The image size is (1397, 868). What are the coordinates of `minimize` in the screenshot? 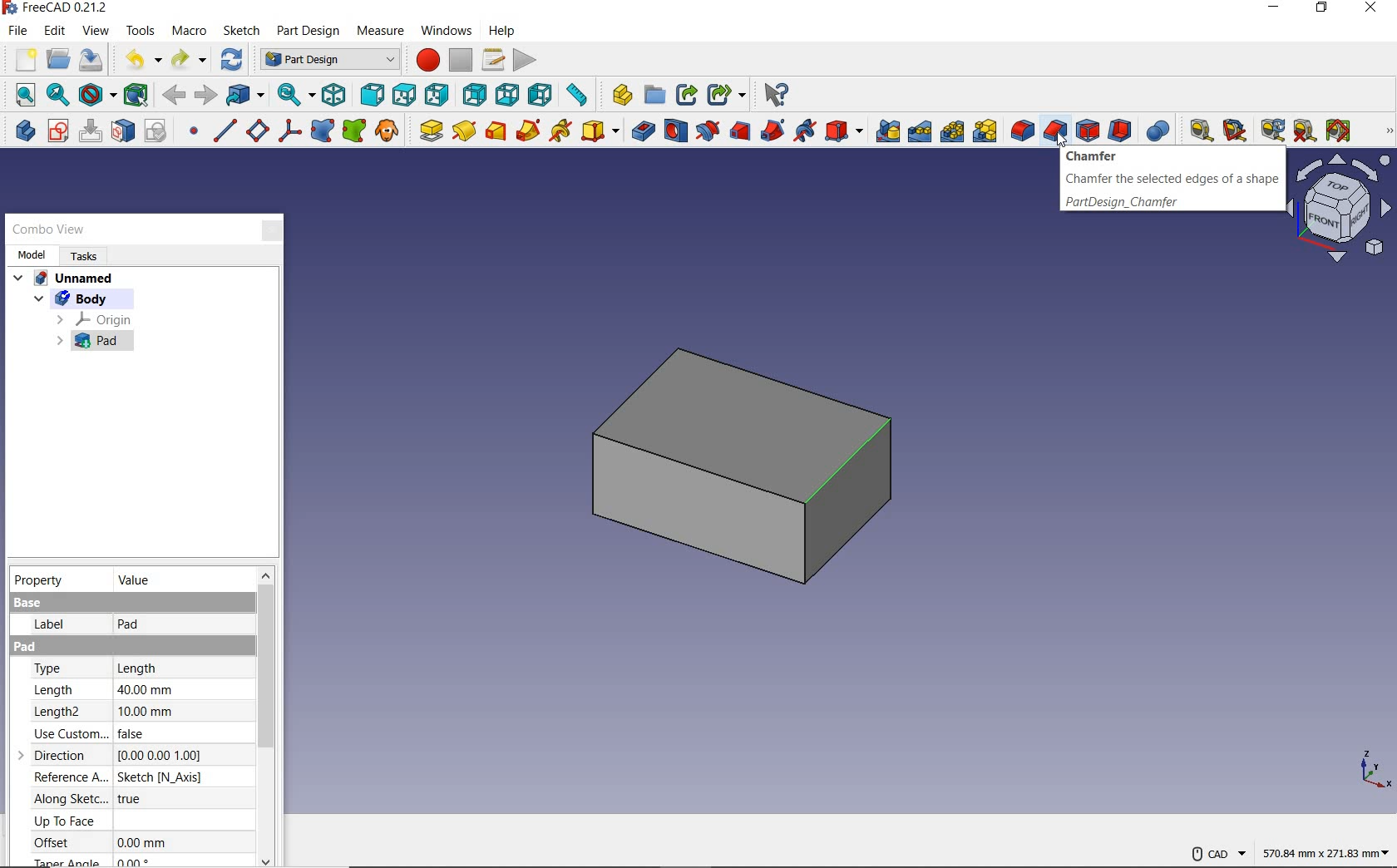 It's located at (1272, 9).